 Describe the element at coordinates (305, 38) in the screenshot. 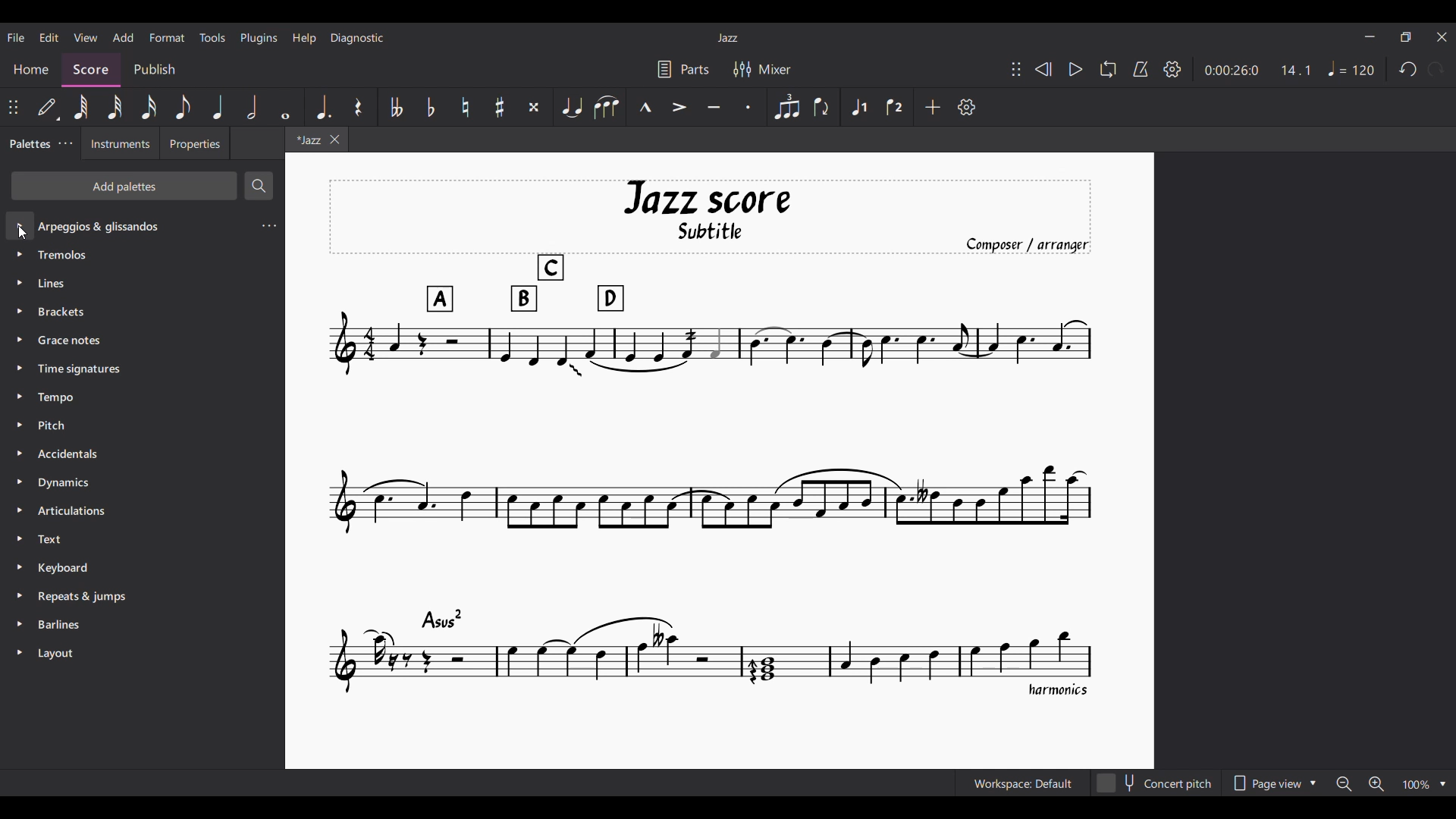

I see `Help menu` at that location.